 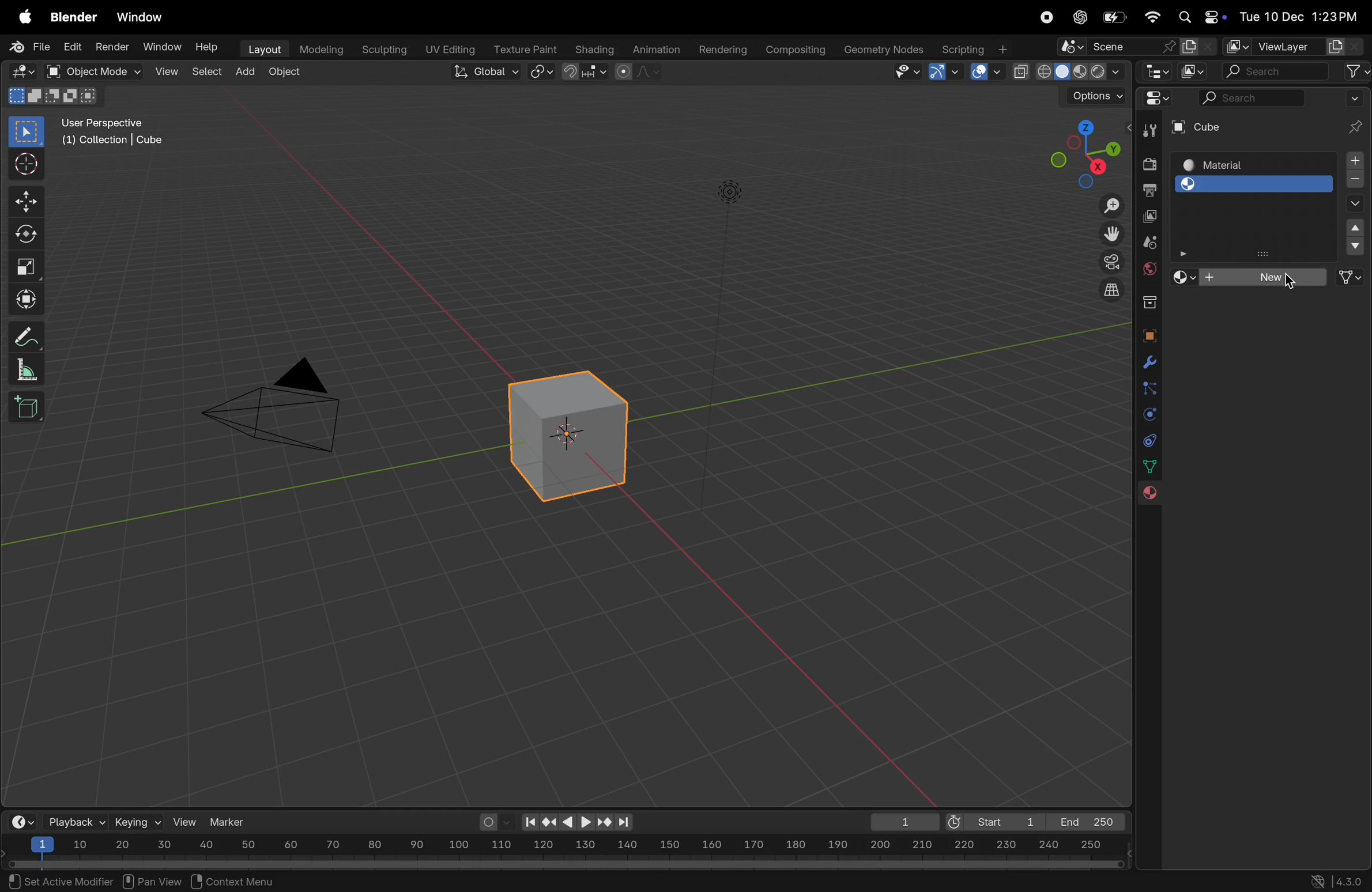 What do you see at coordinates (1148, 164) in the screenshot?
I see `render` at bounding box center [1148, 164].